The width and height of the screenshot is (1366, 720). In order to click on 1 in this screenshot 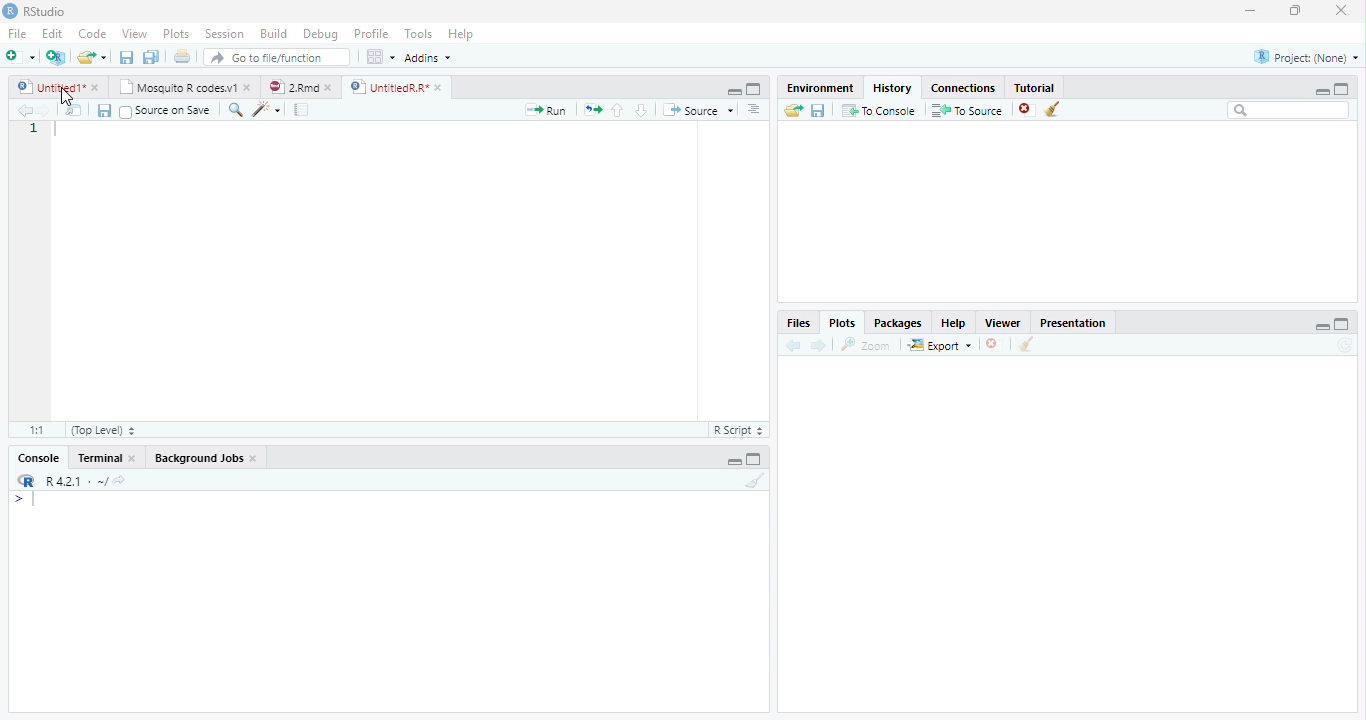, I will do `click(33, 130)`.